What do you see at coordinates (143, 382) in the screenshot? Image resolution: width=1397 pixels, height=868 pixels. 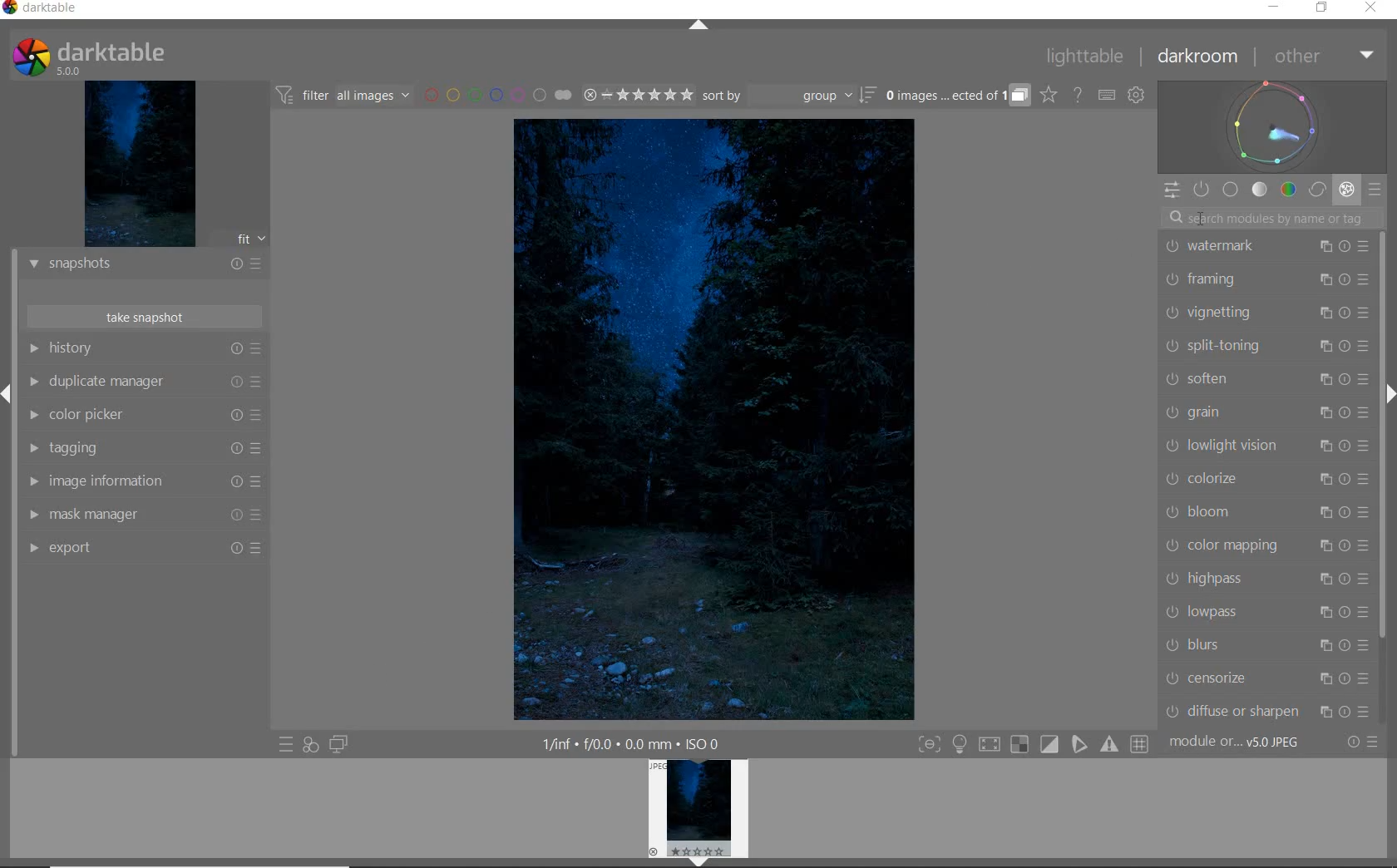 I see `DUPLICATE MANAGER` at bounding box center [143, 382].